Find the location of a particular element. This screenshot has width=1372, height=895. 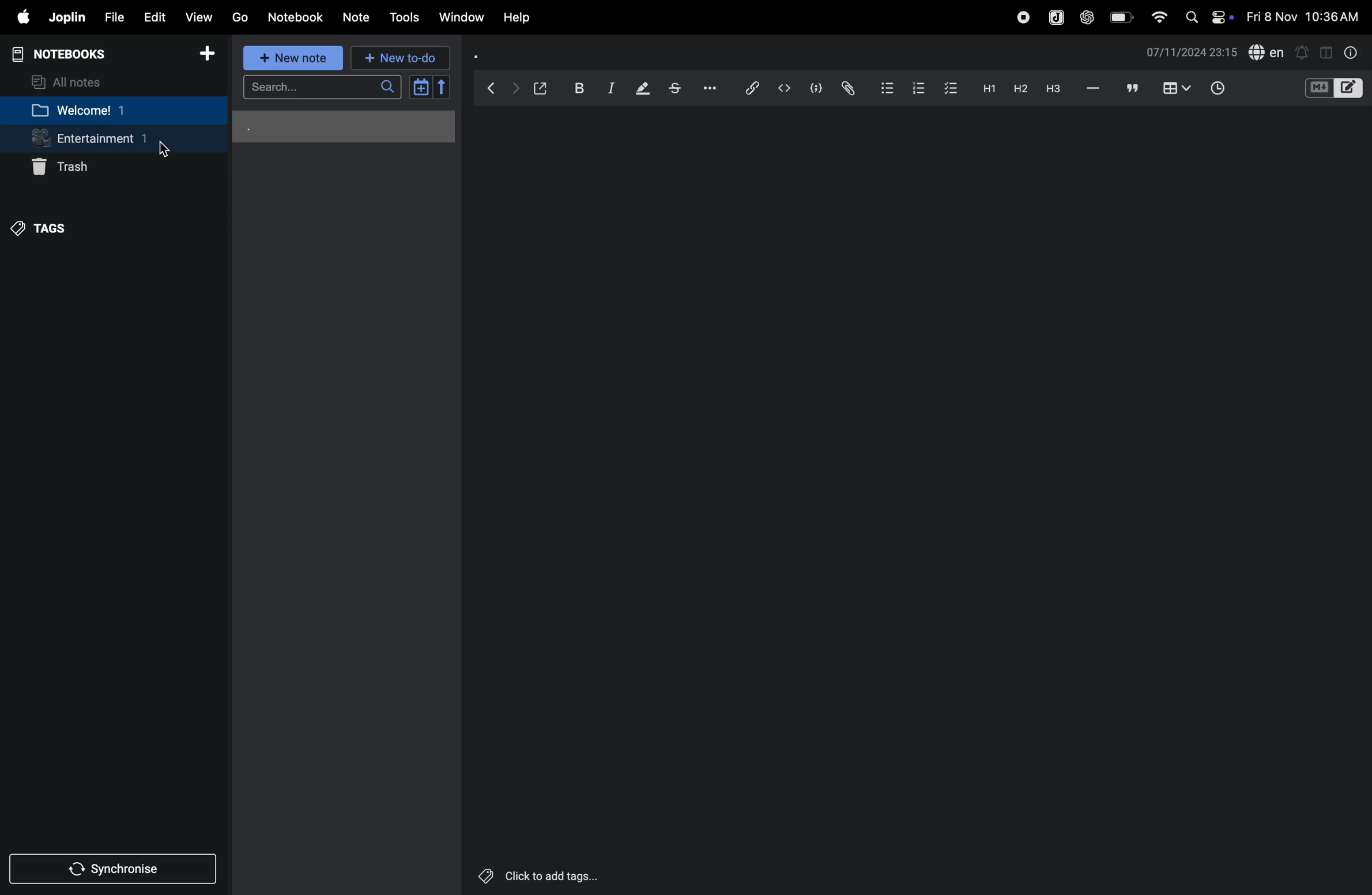

options is located at coordinates (715, 87).